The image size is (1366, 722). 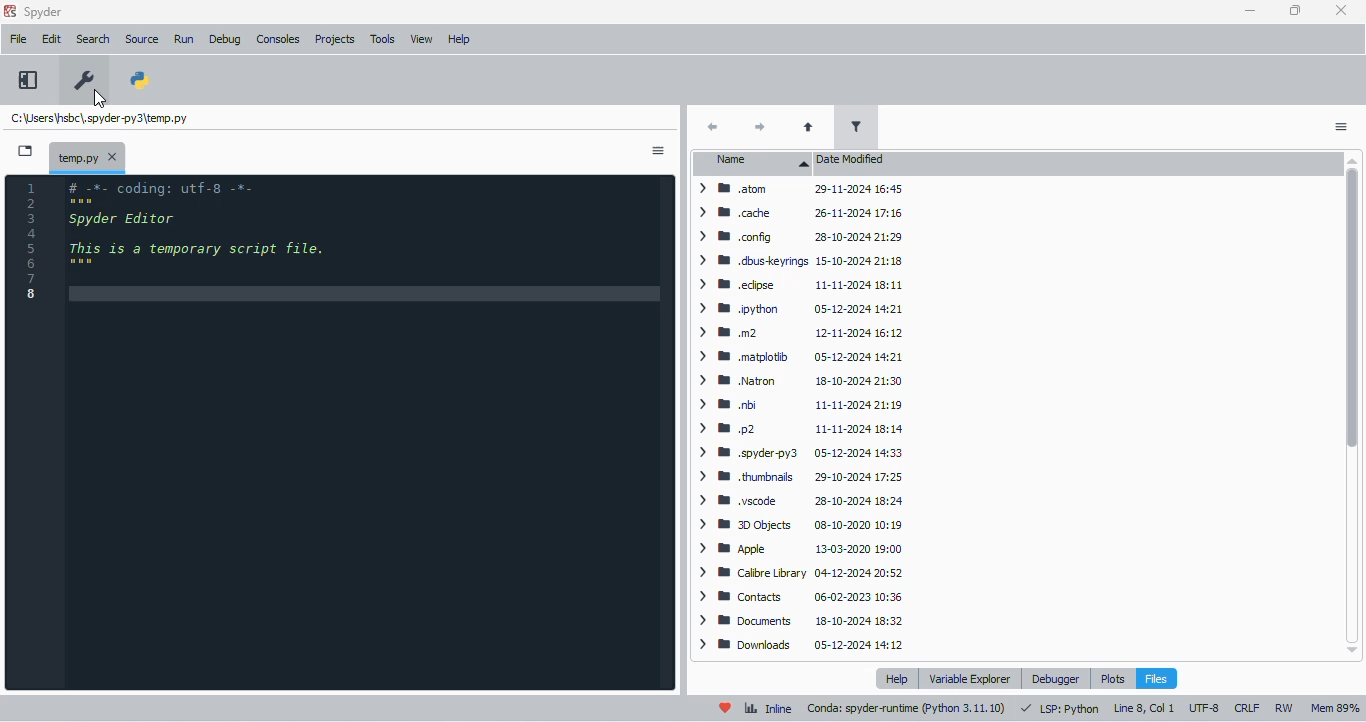 I want to click on PYTHONPATH manager, so click(x=143, y=81).